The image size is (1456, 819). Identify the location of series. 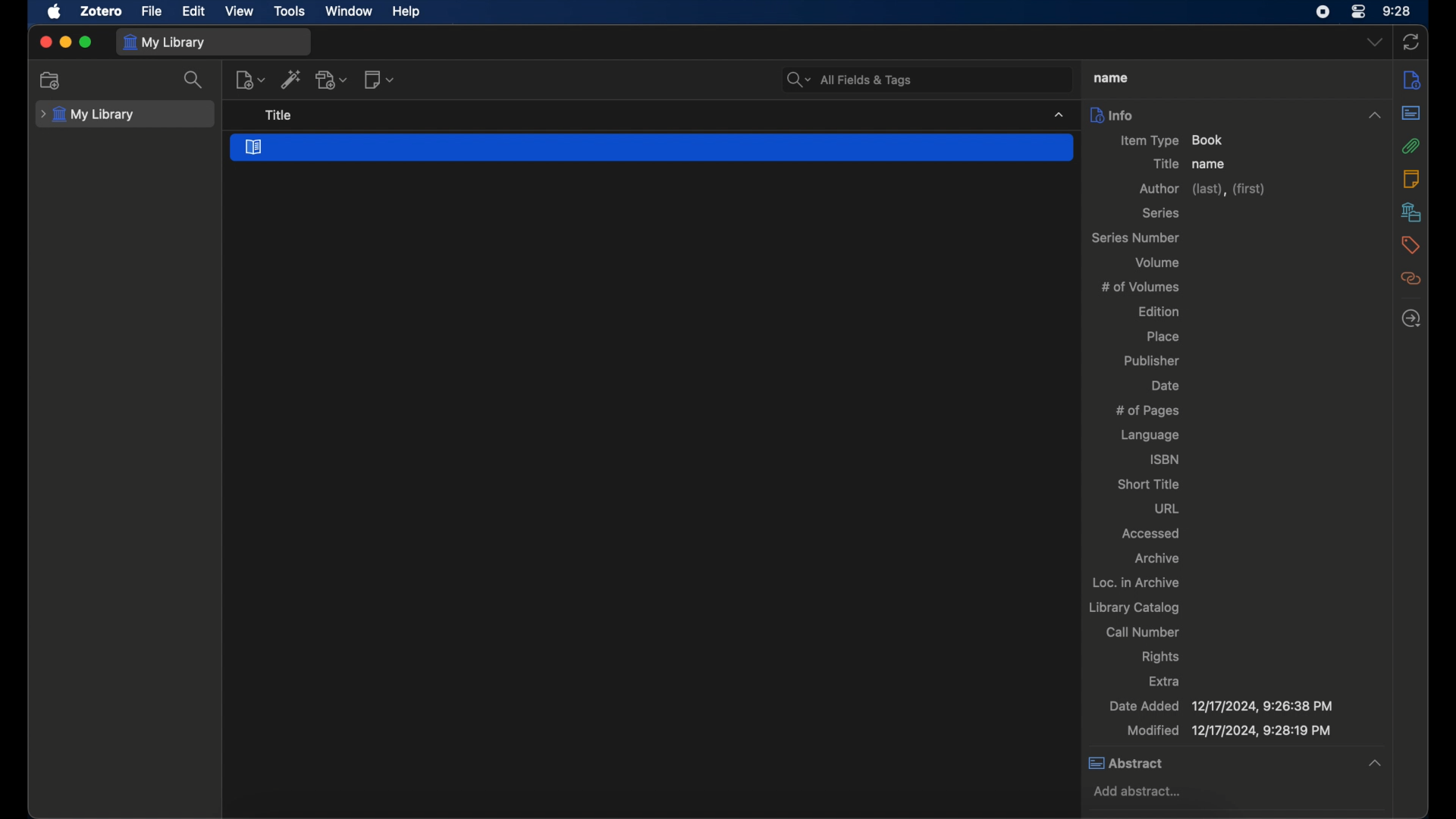
(1161, 212).